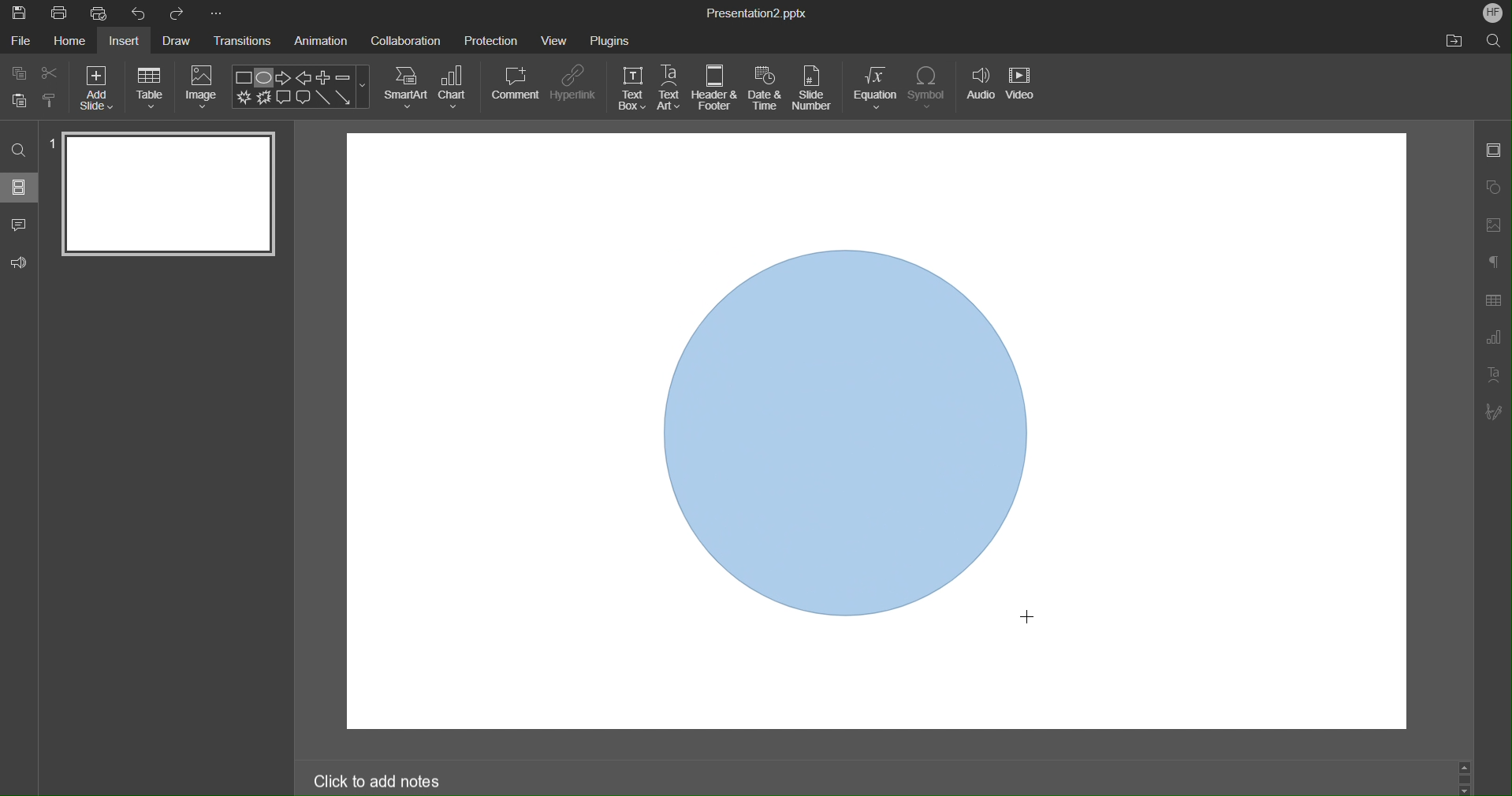  What do you see at coordinates (18, 13) in the screenshot?
I see `Save` at bounding box center [18, 13].